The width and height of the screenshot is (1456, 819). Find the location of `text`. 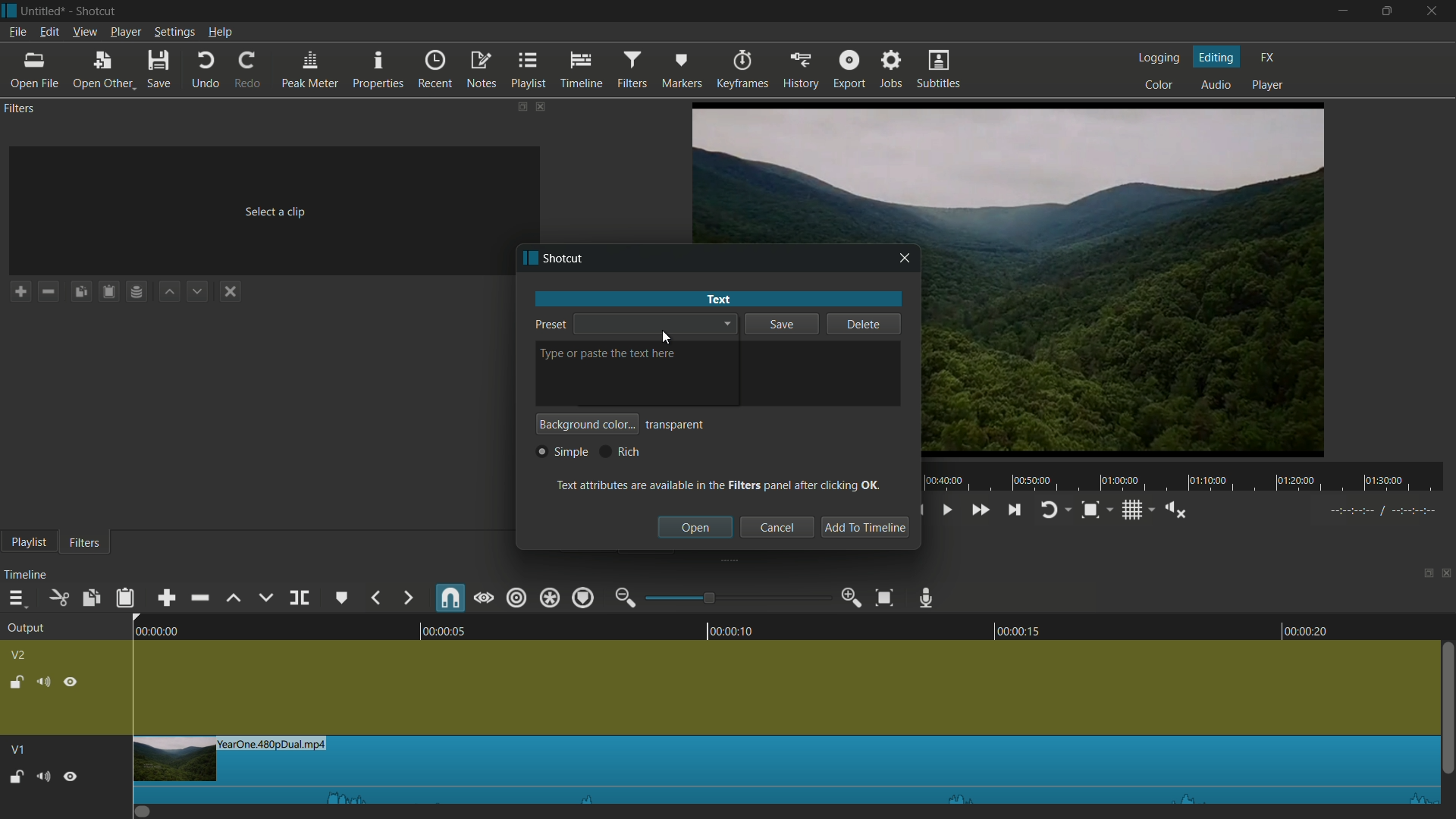

text is located at coordinates (720, 484).